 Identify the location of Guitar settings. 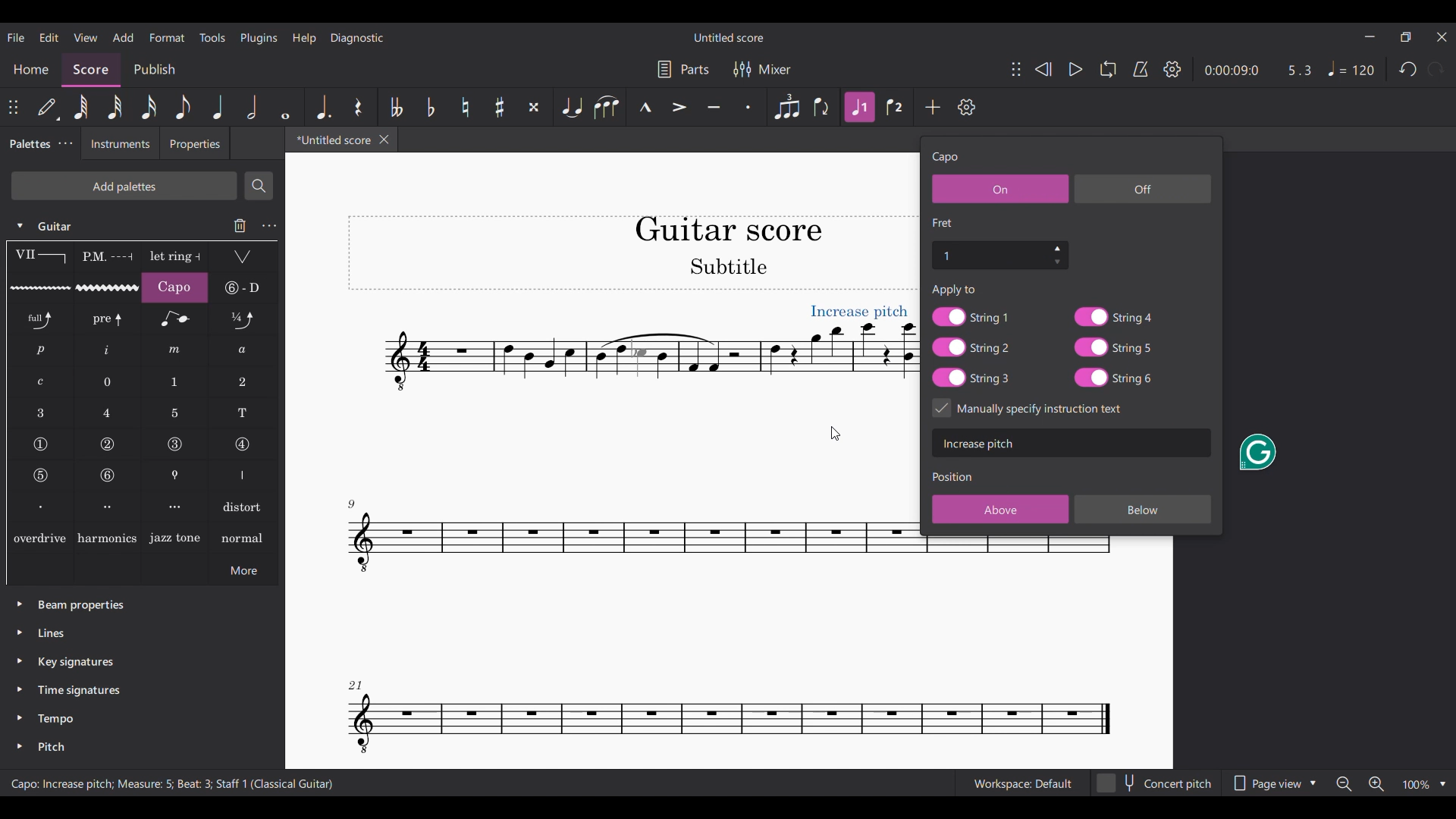
(269, 226).